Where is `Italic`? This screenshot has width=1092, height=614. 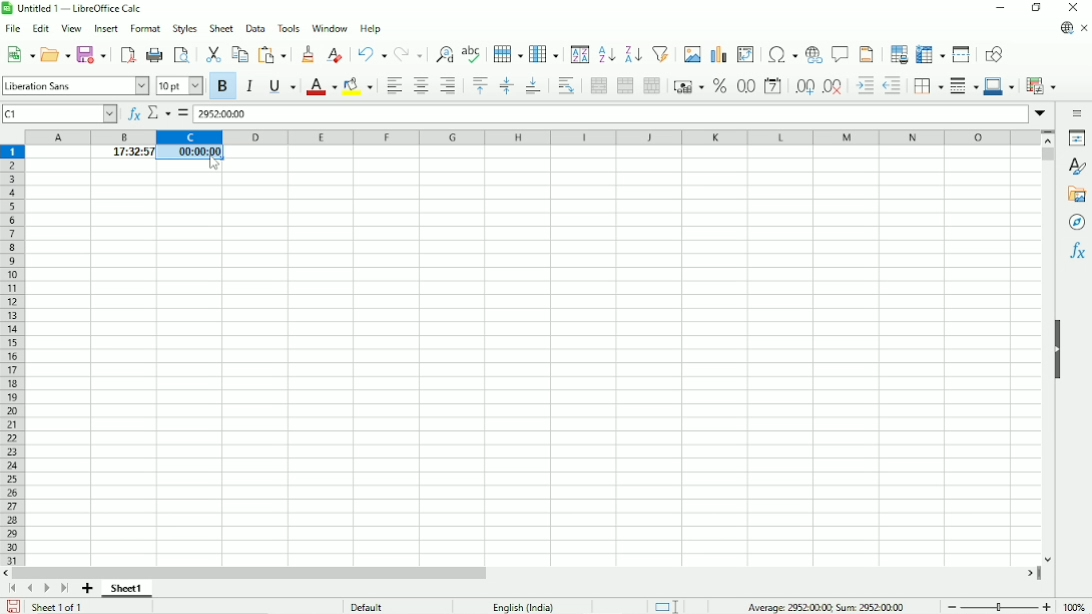 Italic is located at coordinates (248, 86).